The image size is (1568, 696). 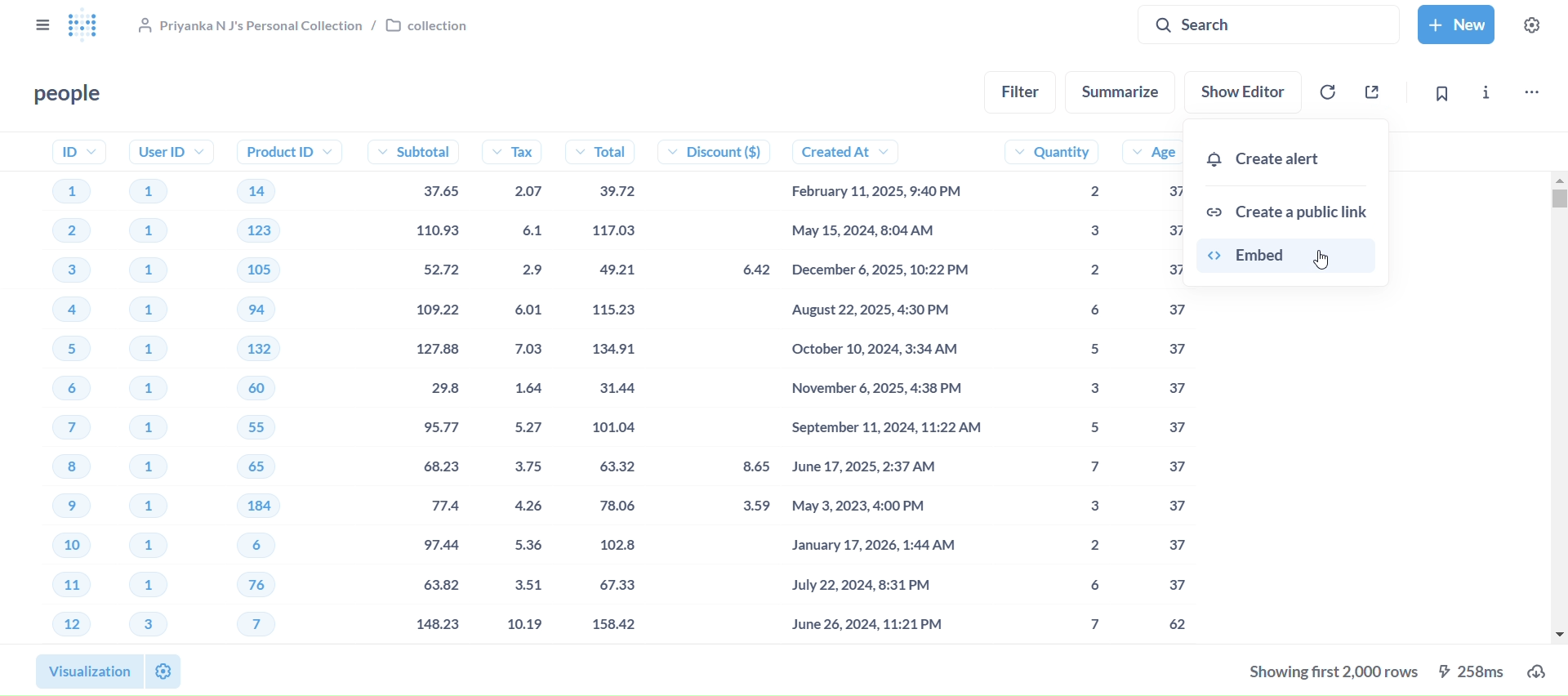 I want to click on info , so click(x=1488, y=93).